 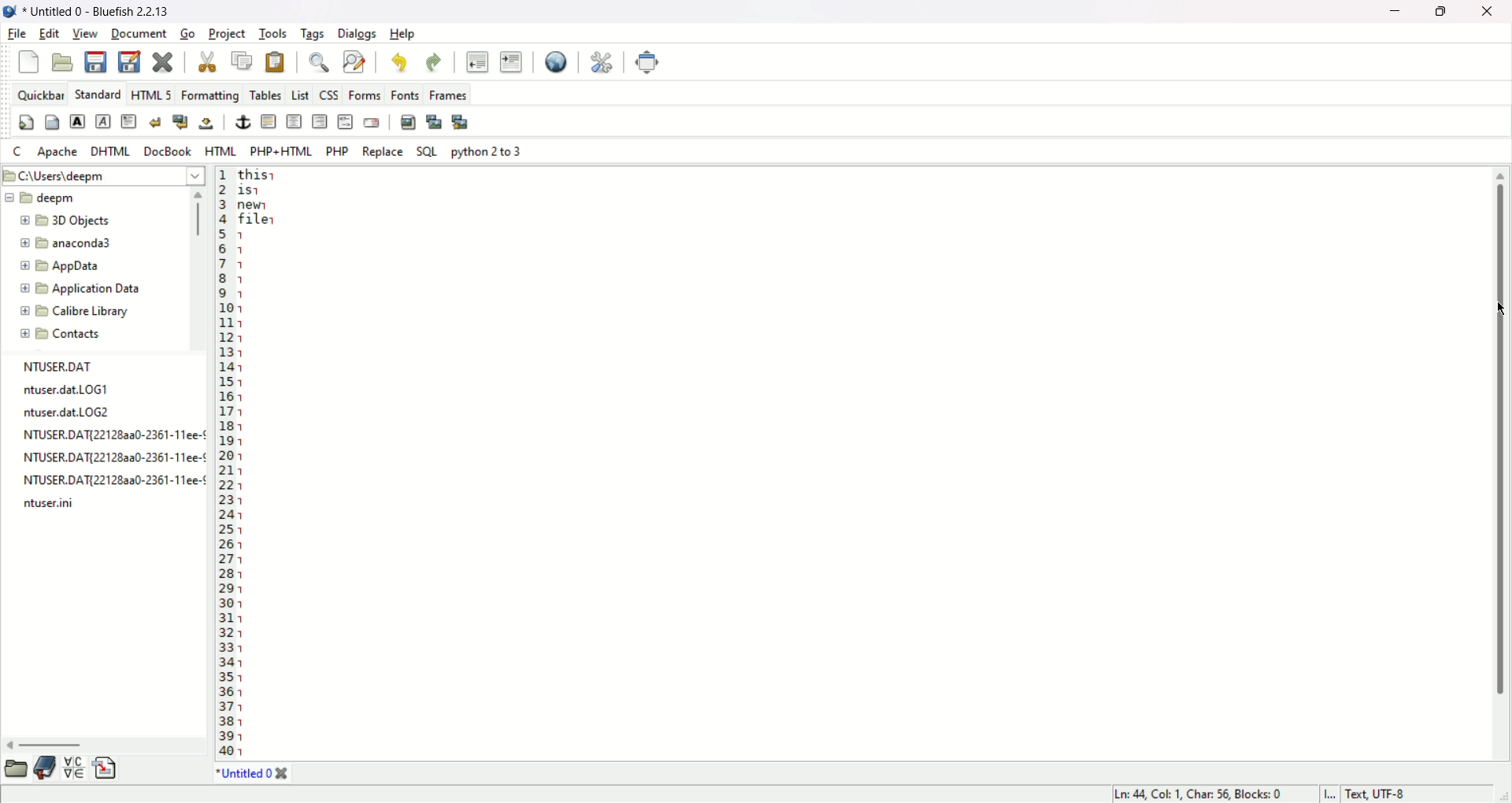 What do you see at coordinates (52, 124) in the screenshot?
I see `body` at bounding box center [52, 124].